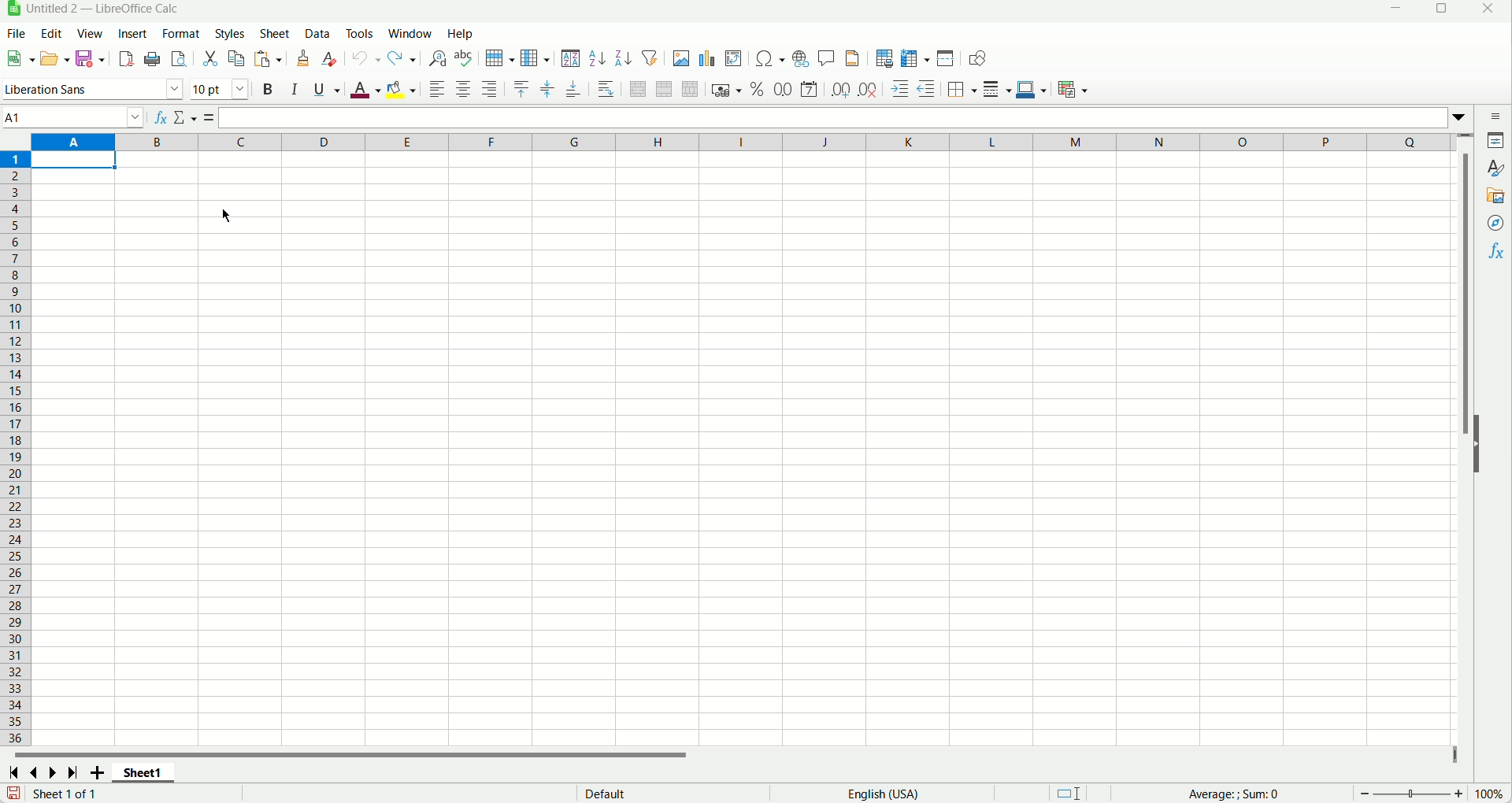  What do you see at coordinates (126, 58) in the screenshot?
I see `Export as pdf` at bounding box center [126, 58].